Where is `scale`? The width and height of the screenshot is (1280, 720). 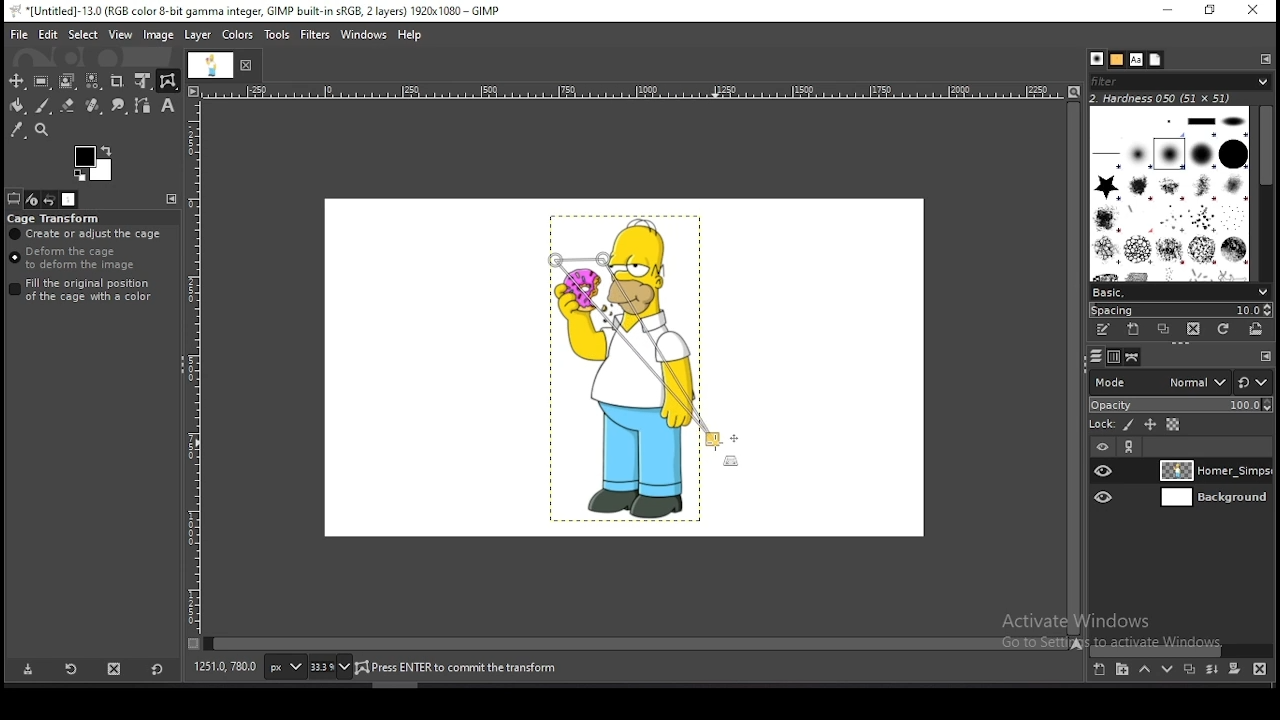 scale is located at coordinates (634, 92).